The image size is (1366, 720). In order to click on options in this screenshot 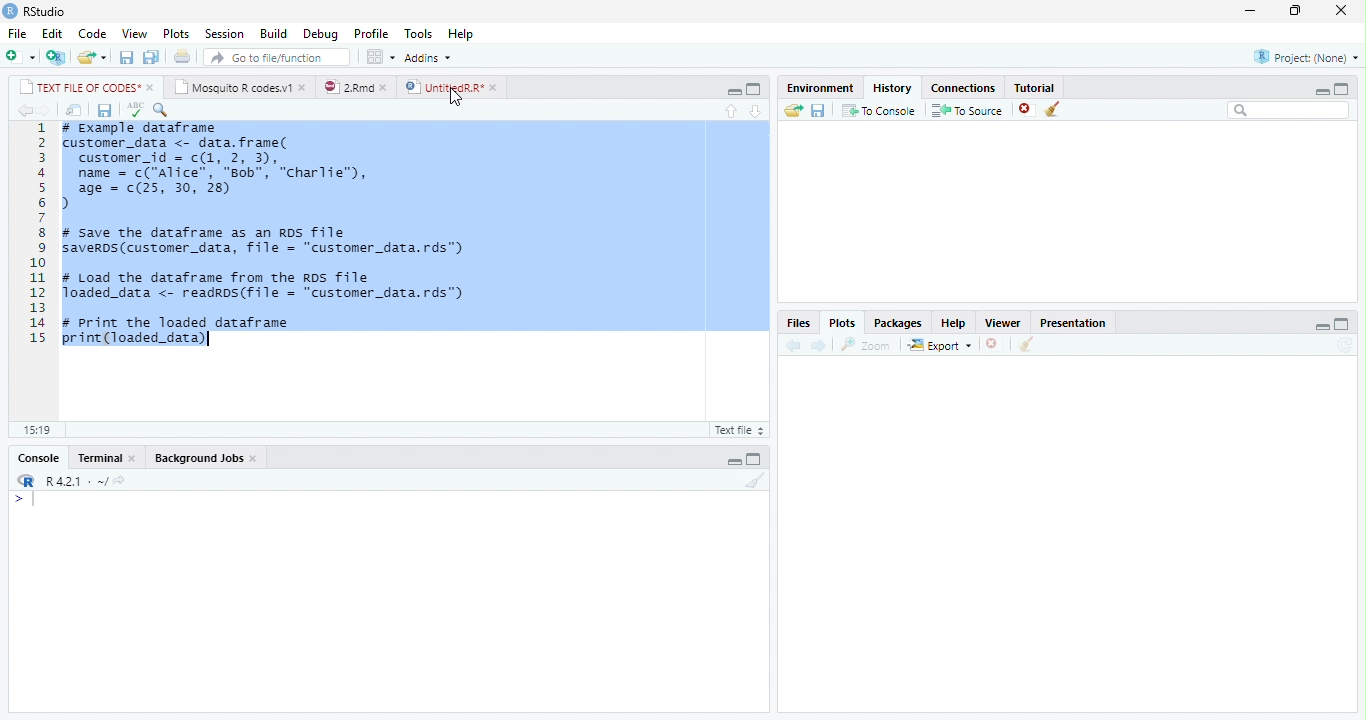, I will do `click(380, 57)`.